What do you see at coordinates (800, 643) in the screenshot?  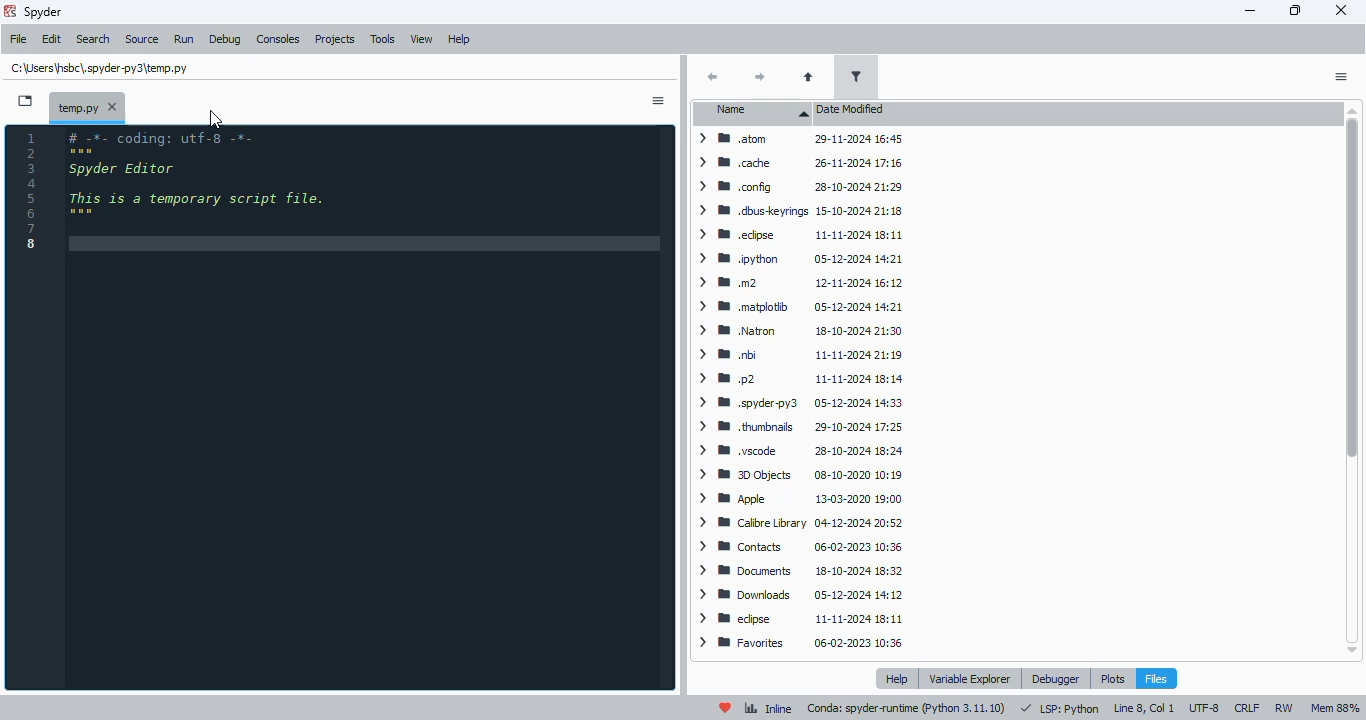 I see `> WB Favorites 06-02-2023 10:36` at bounding box center [800, 643].